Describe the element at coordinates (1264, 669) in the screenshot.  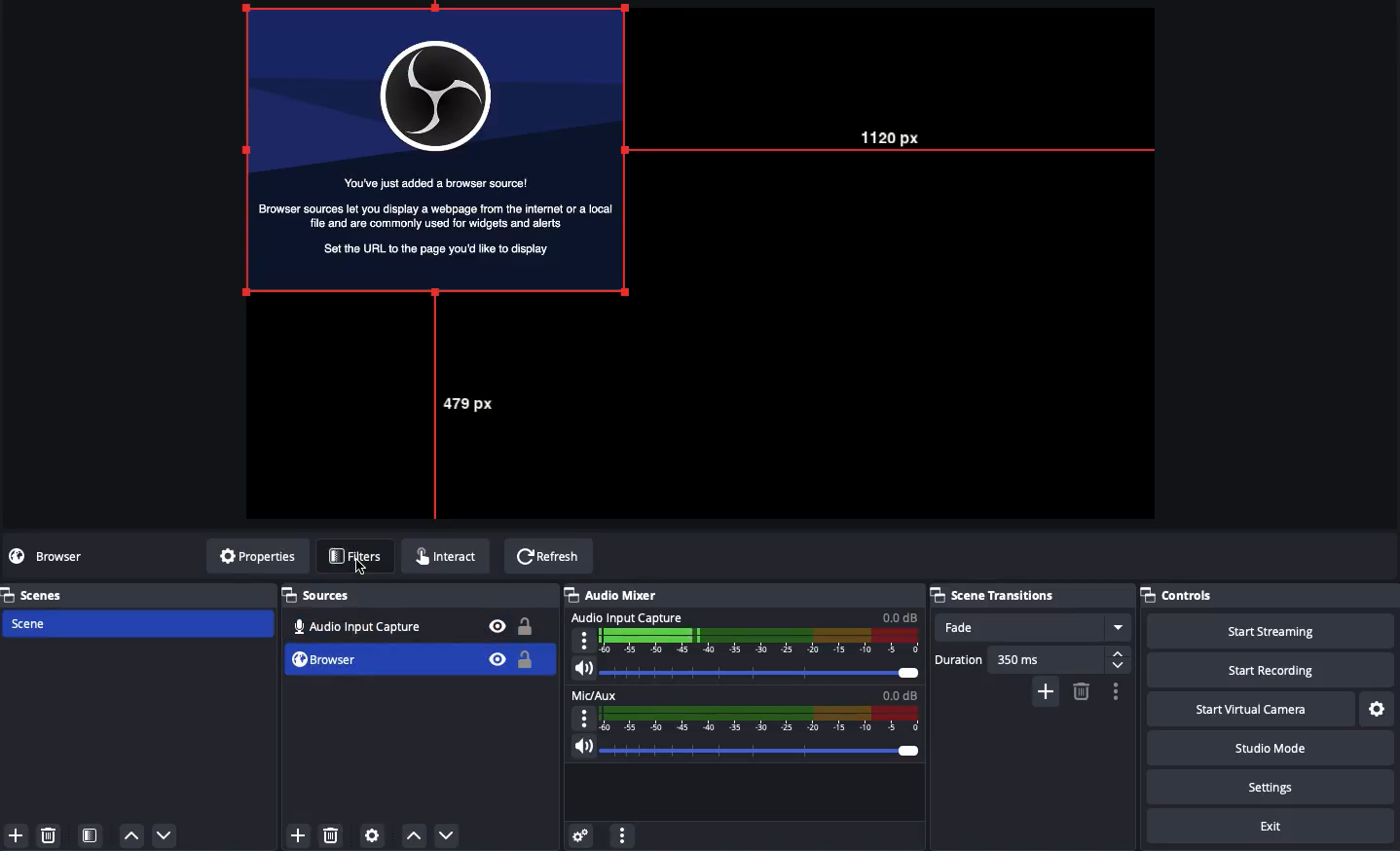
I see `Start recording` at that location.